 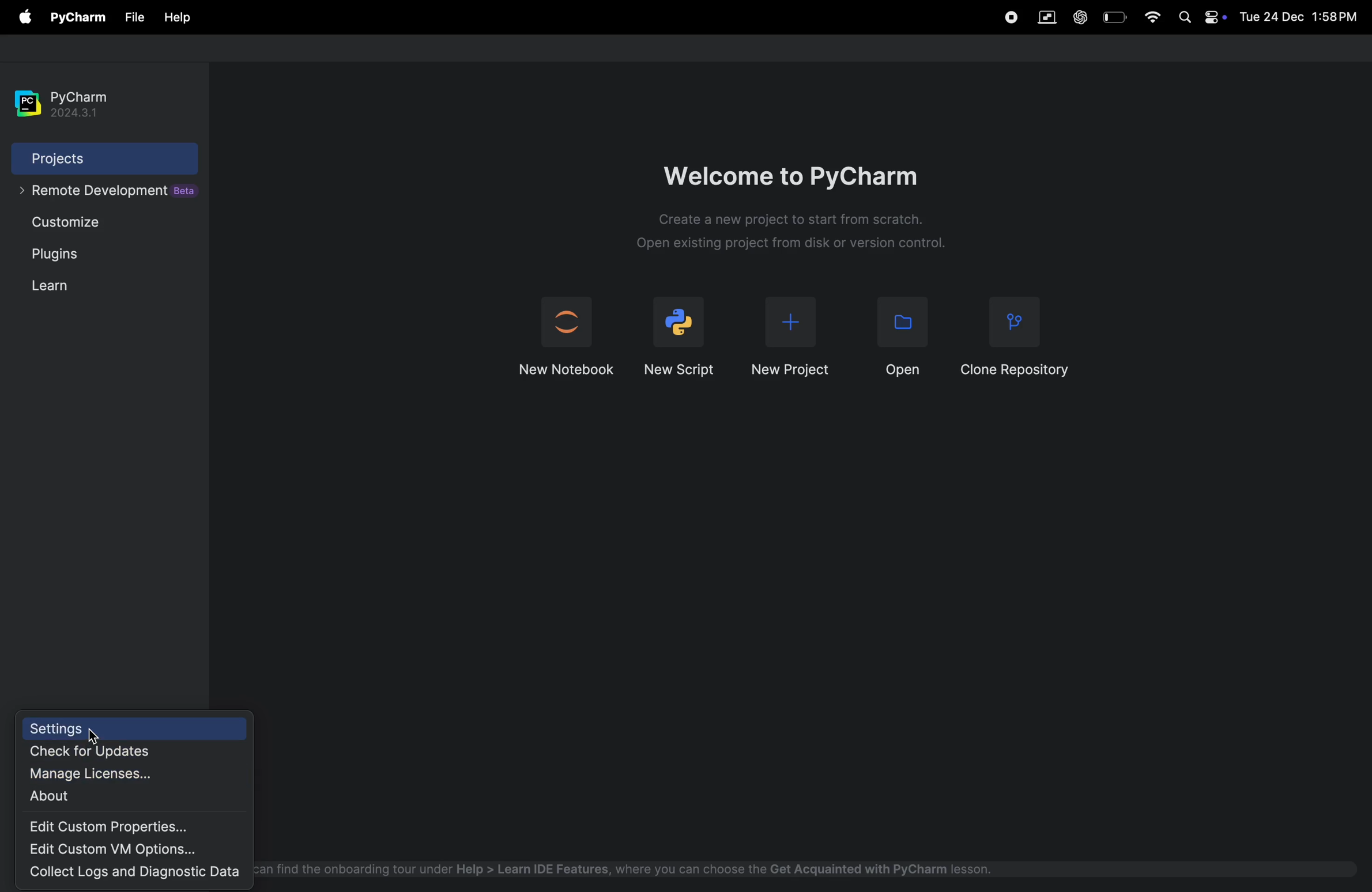 I want to click on projects, so click(x=89, y=158).